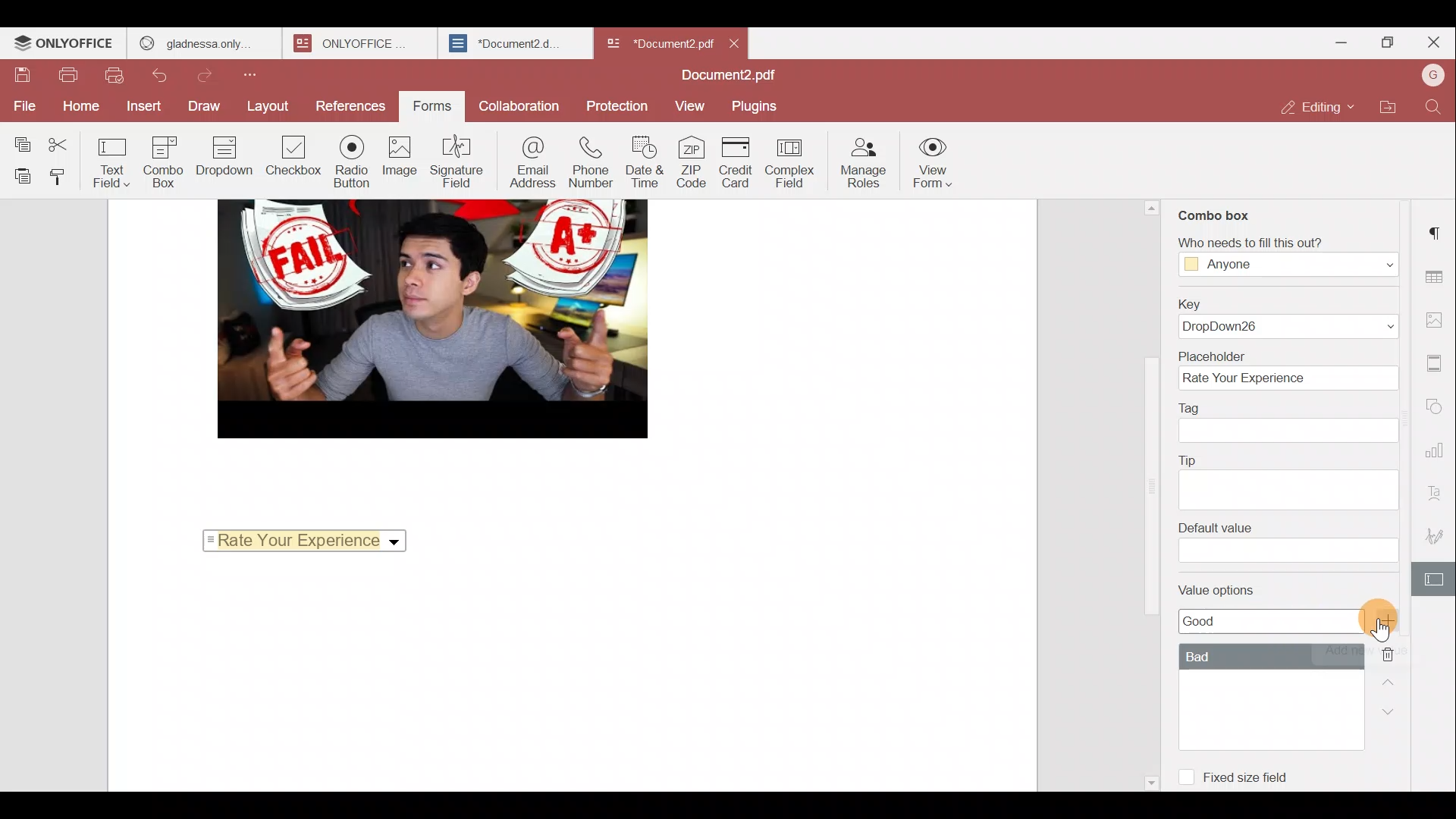 Image resolution: width=1456 pixels, height=819 pixels. Describe the element at coordinates (431, 318) in the screenshot. I see `image` at that location.